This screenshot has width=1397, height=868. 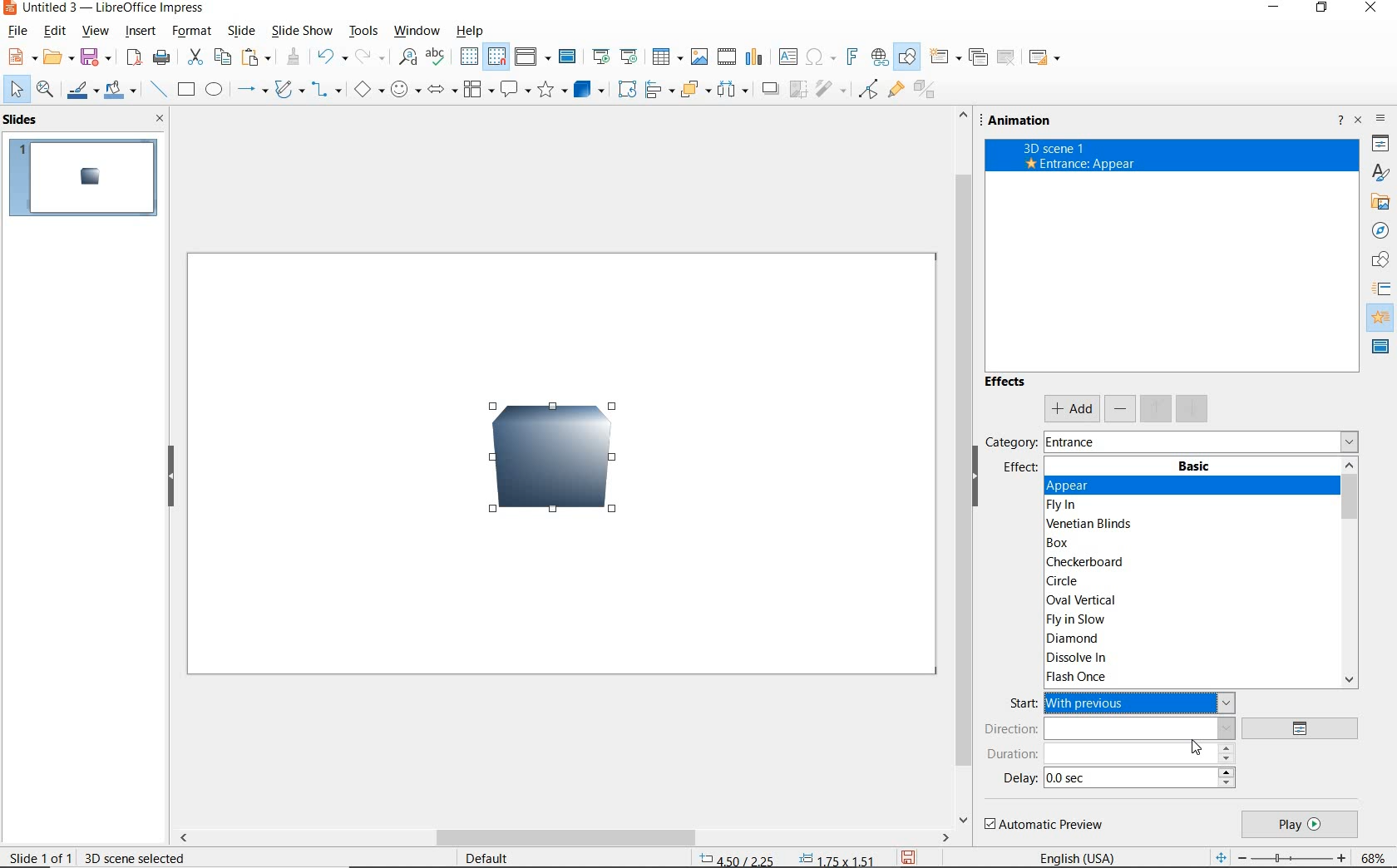 What do you see at coordinates (1121, 407) in the screenshot?
I see `remove effect` at bounding box center [1121, 407].